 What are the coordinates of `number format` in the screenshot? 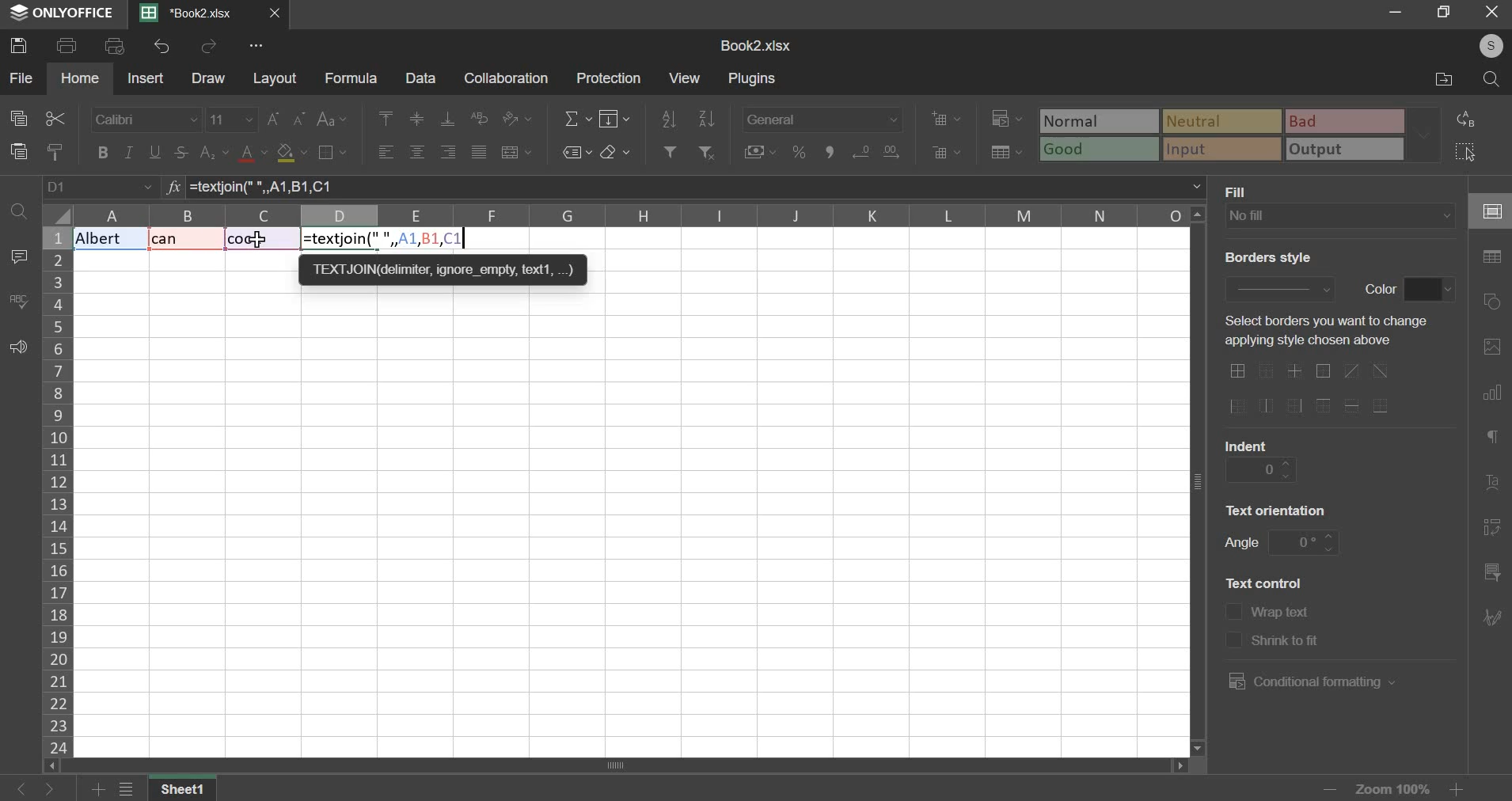 It's located at (822, 117).